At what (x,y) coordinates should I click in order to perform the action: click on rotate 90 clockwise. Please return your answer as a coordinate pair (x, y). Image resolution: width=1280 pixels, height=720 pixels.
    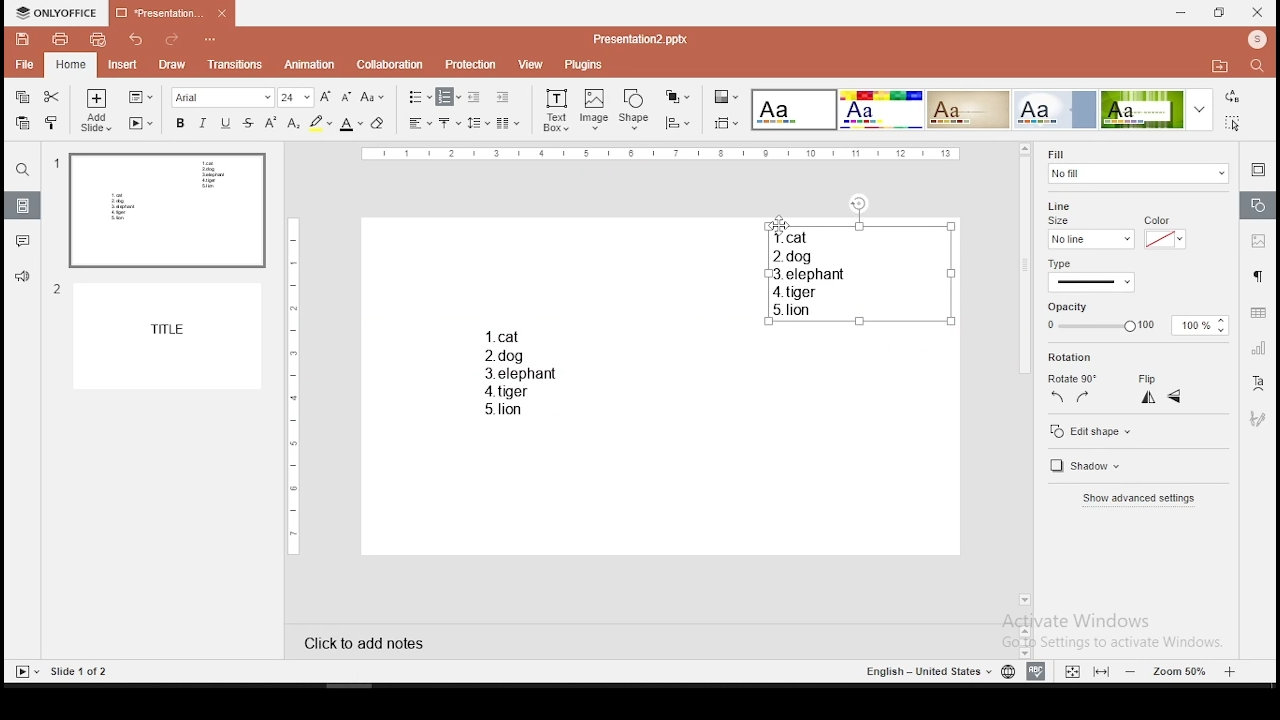
    Looking at the image, I should click on (1082, 397).